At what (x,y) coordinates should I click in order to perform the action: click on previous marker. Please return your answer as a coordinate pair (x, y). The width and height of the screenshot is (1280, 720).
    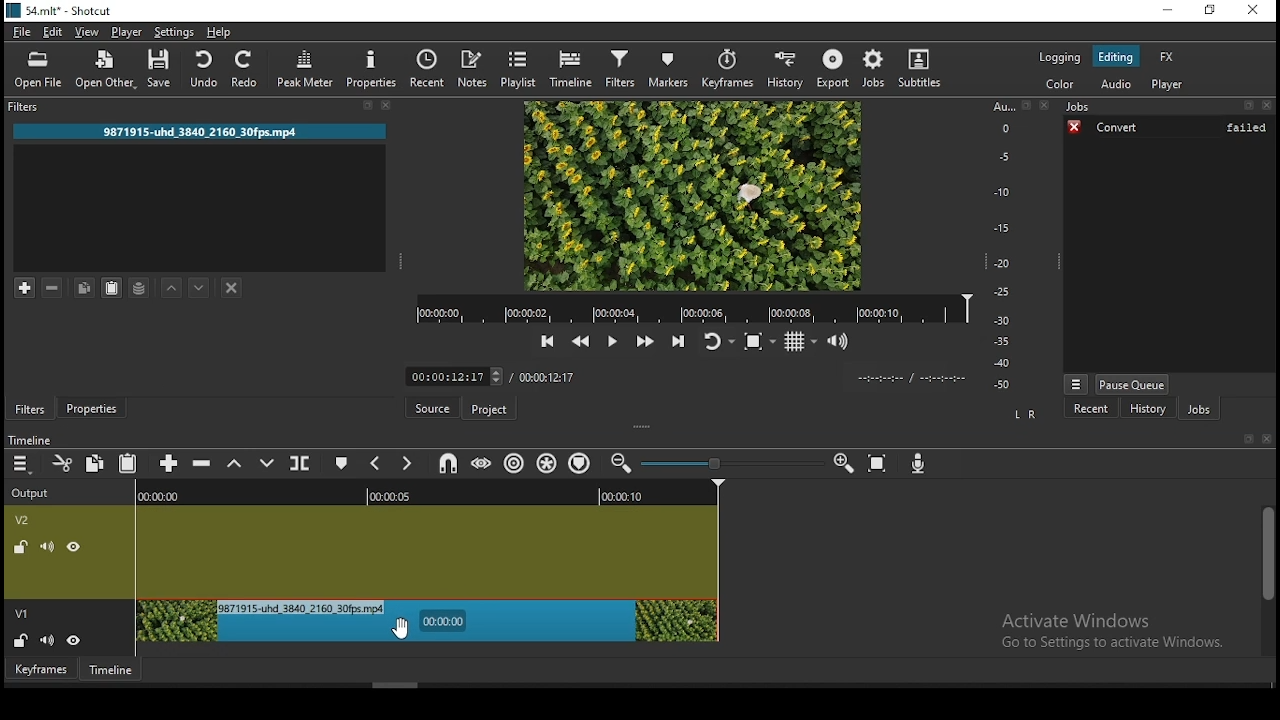
    Looking at the image, I should click on (376, 465).